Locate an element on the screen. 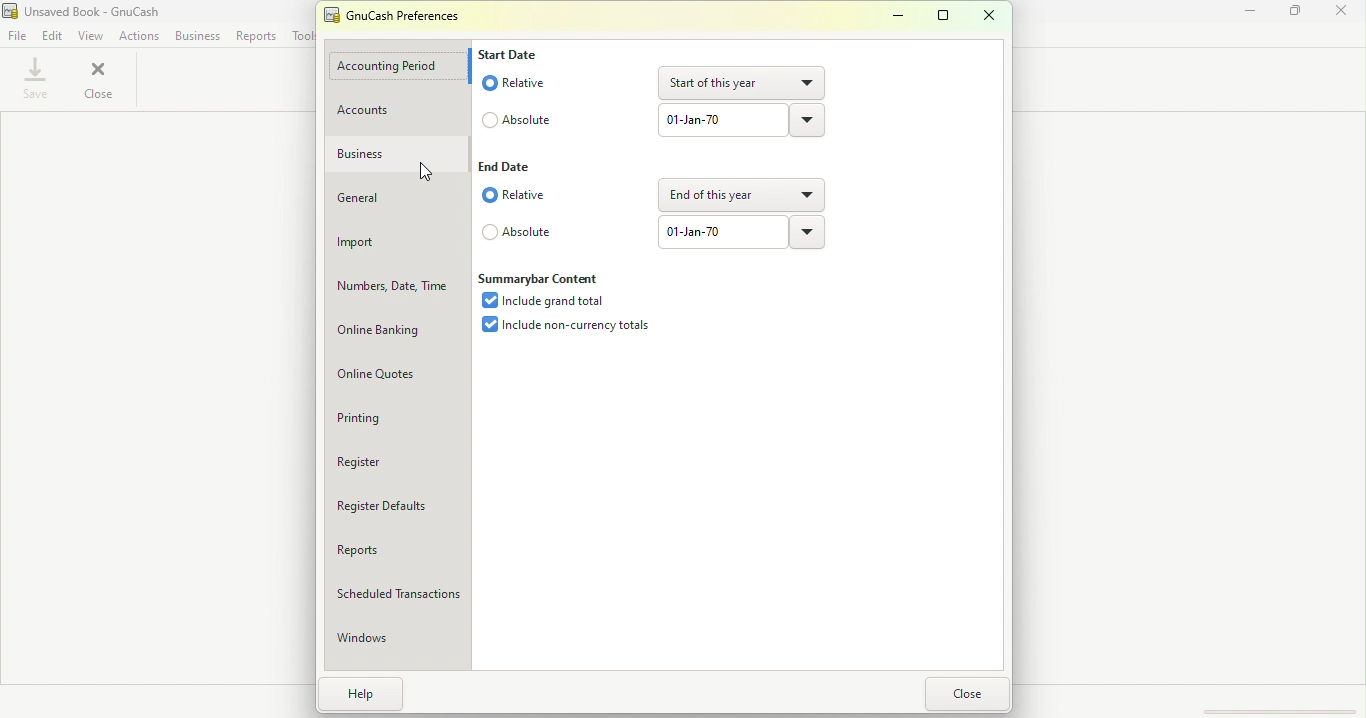  View is located at coordinates (92, 36).